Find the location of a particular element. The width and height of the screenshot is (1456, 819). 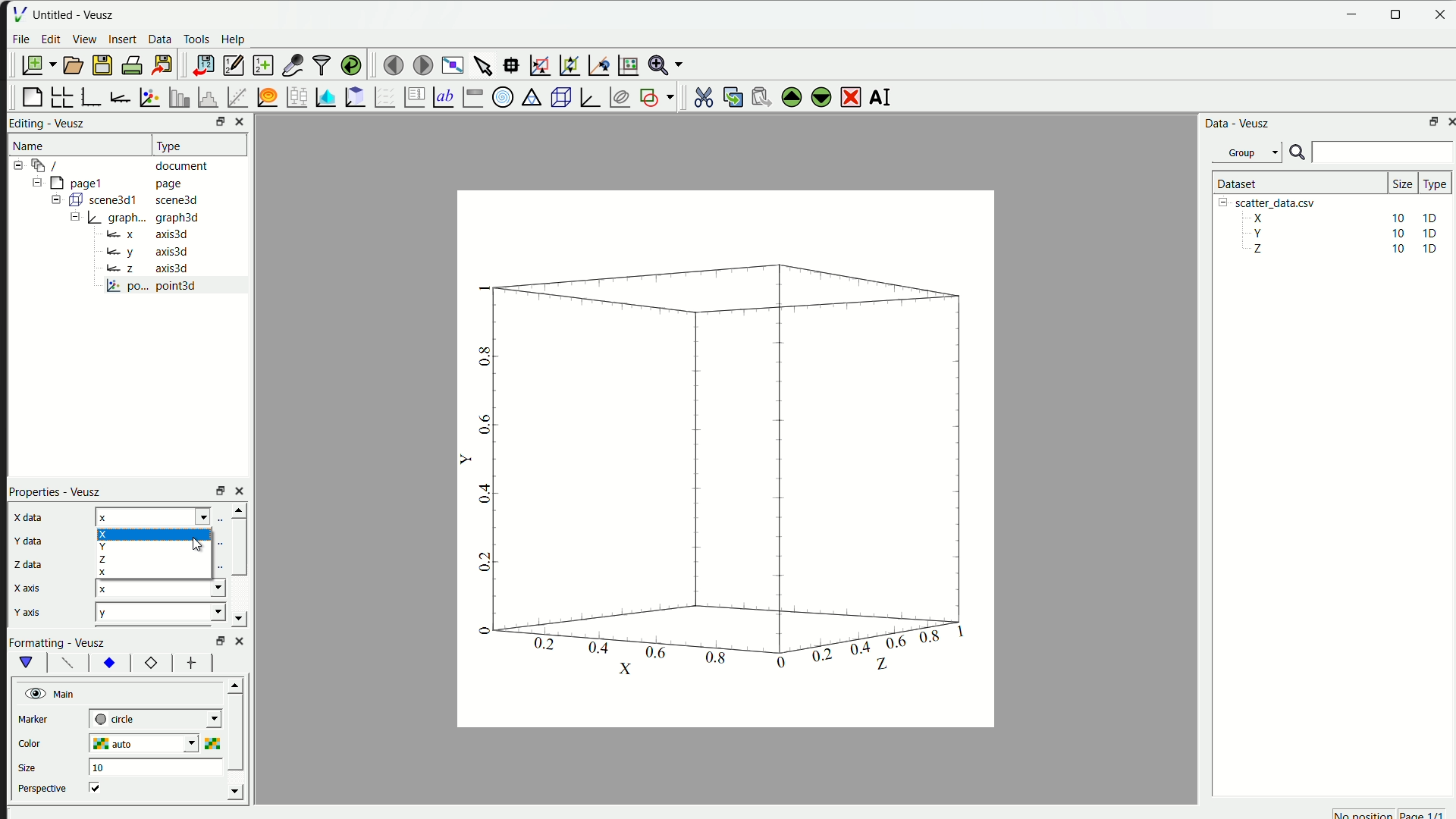

move down the selected widget is located at coordinates (820, 99).